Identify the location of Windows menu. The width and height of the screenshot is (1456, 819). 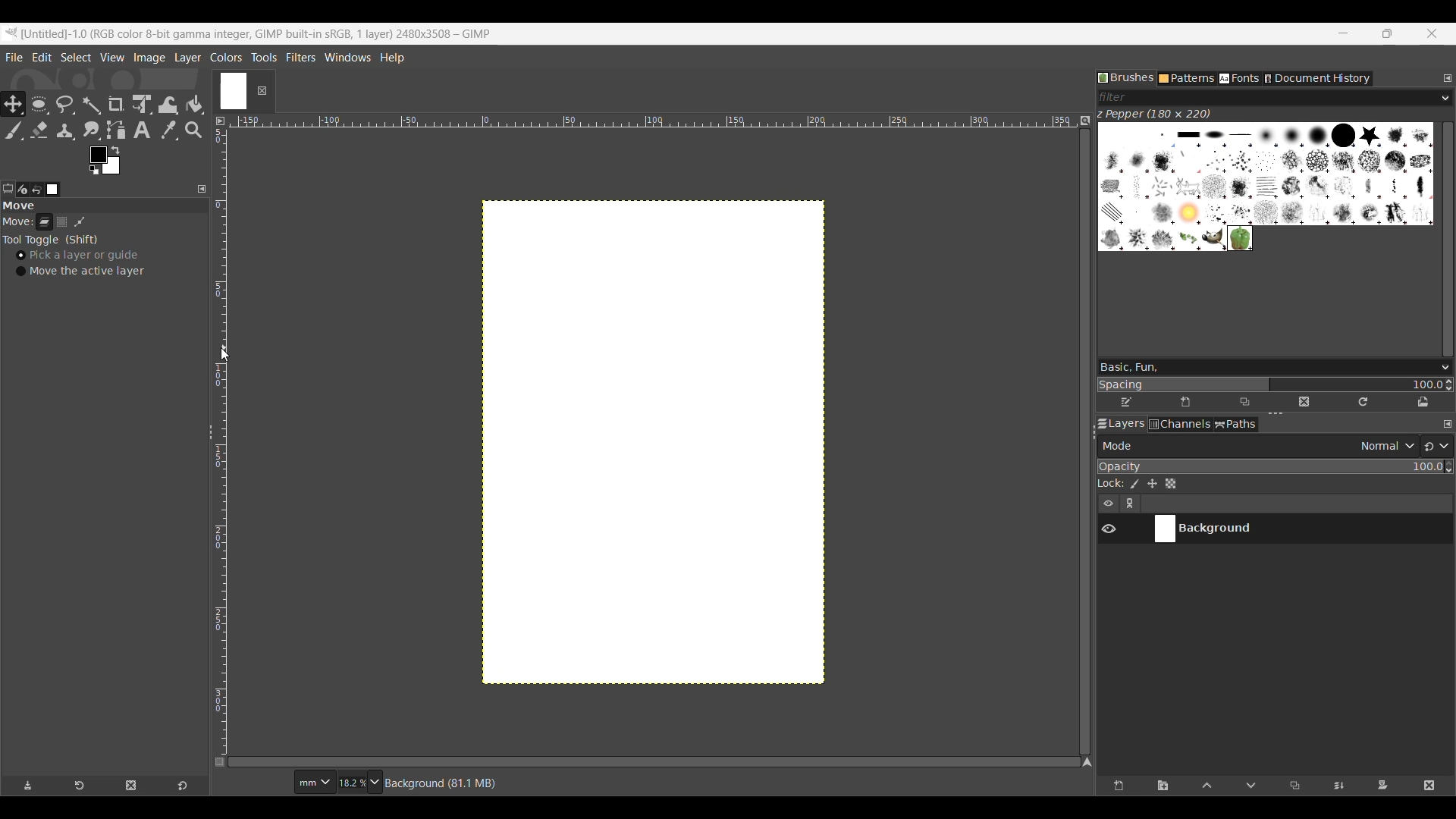
(347, 55).